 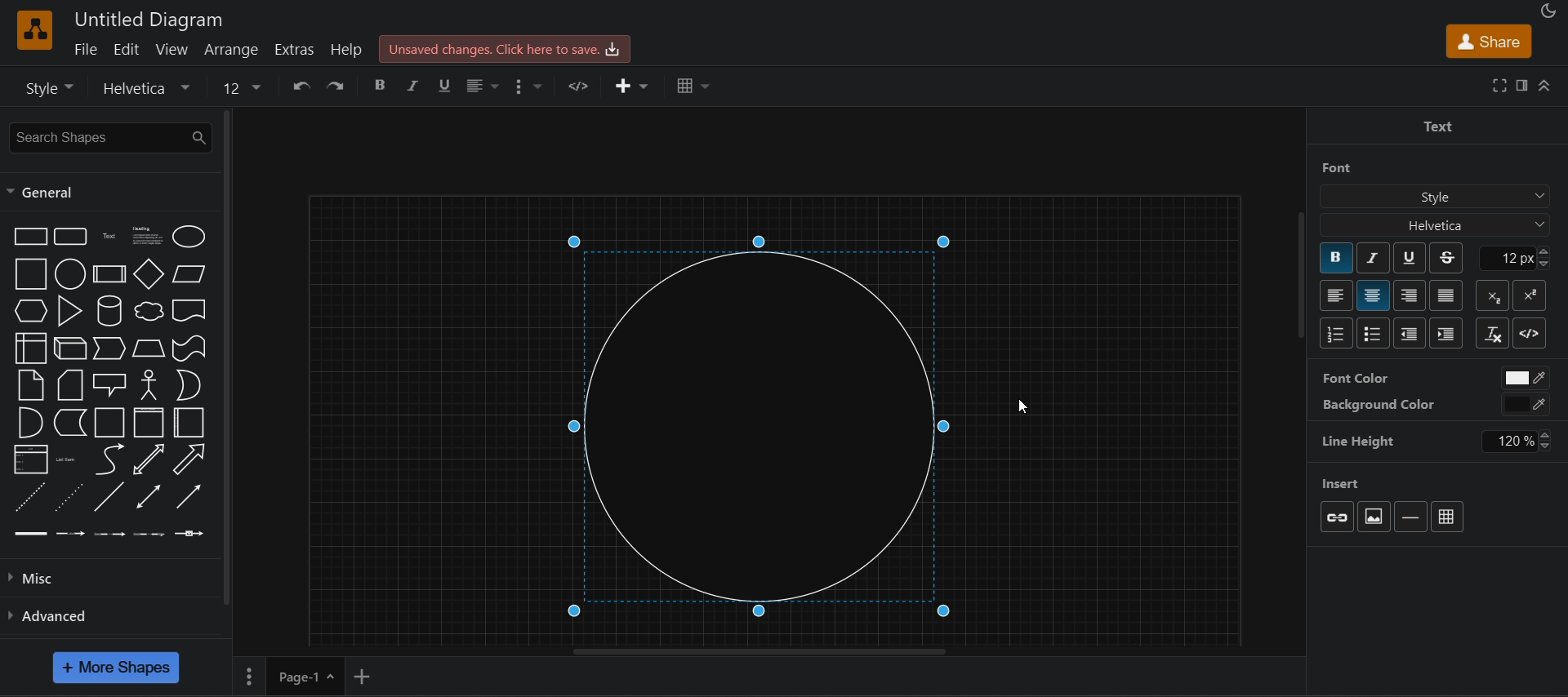 I want to click on format, so click(x=529, y=87).